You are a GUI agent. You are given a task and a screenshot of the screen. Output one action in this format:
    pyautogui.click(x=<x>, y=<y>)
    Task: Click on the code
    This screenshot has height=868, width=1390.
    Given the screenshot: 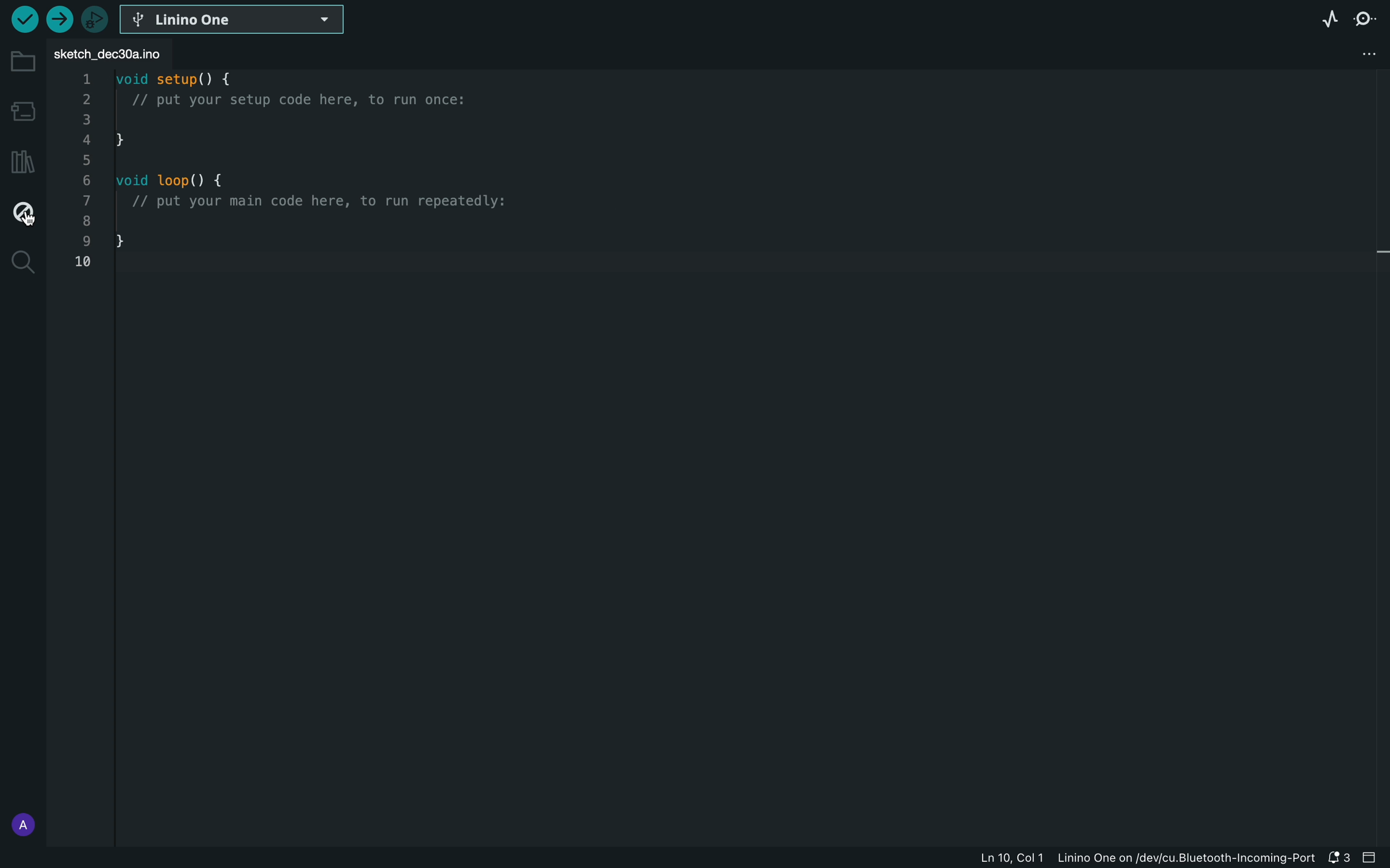 What is the action you would take?
    pyautogui.click(x=315, y=177)
    